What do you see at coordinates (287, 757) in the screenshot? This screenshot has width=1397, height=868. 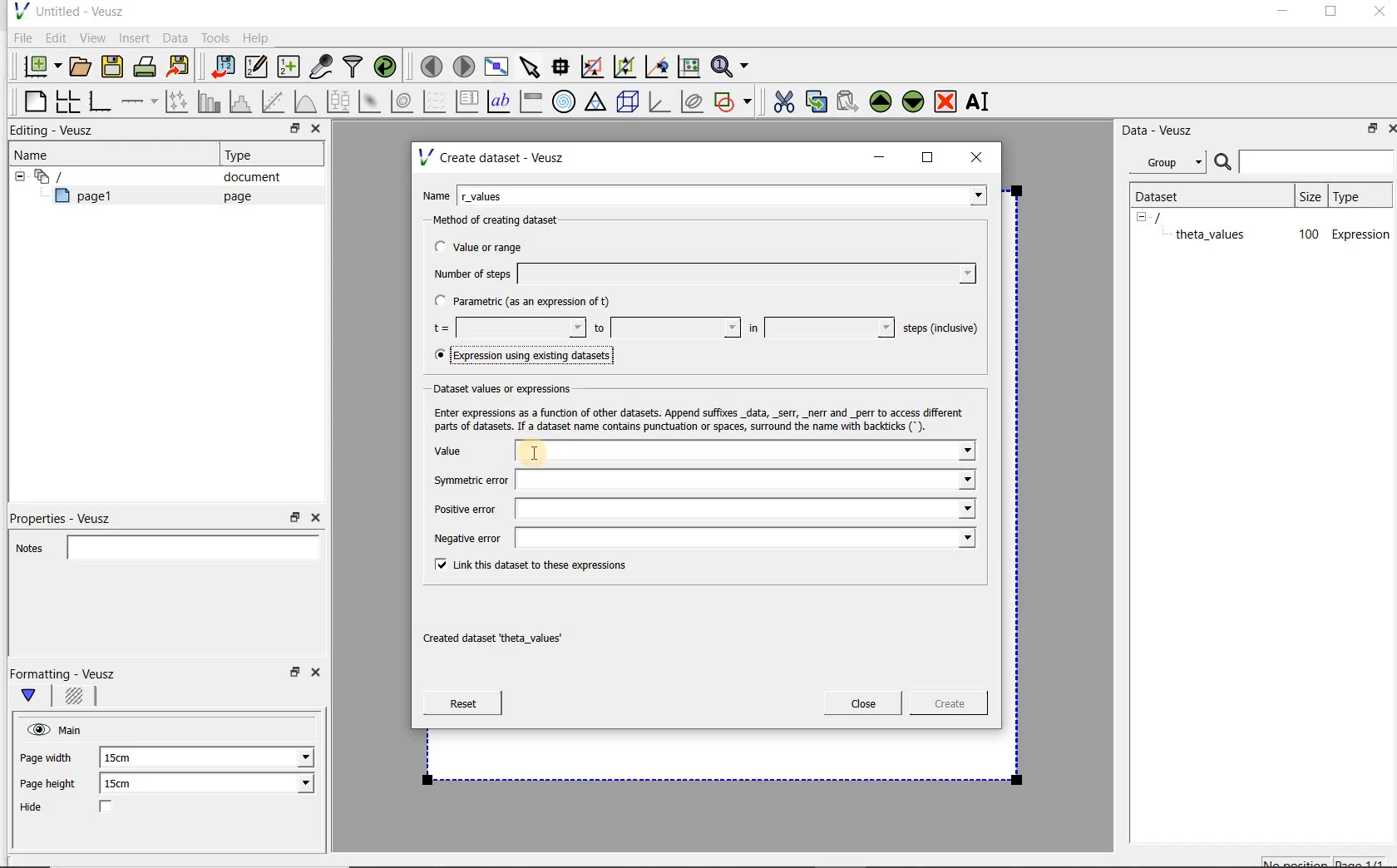 I see `Page width dropdown` at bounding box center [287, 757].